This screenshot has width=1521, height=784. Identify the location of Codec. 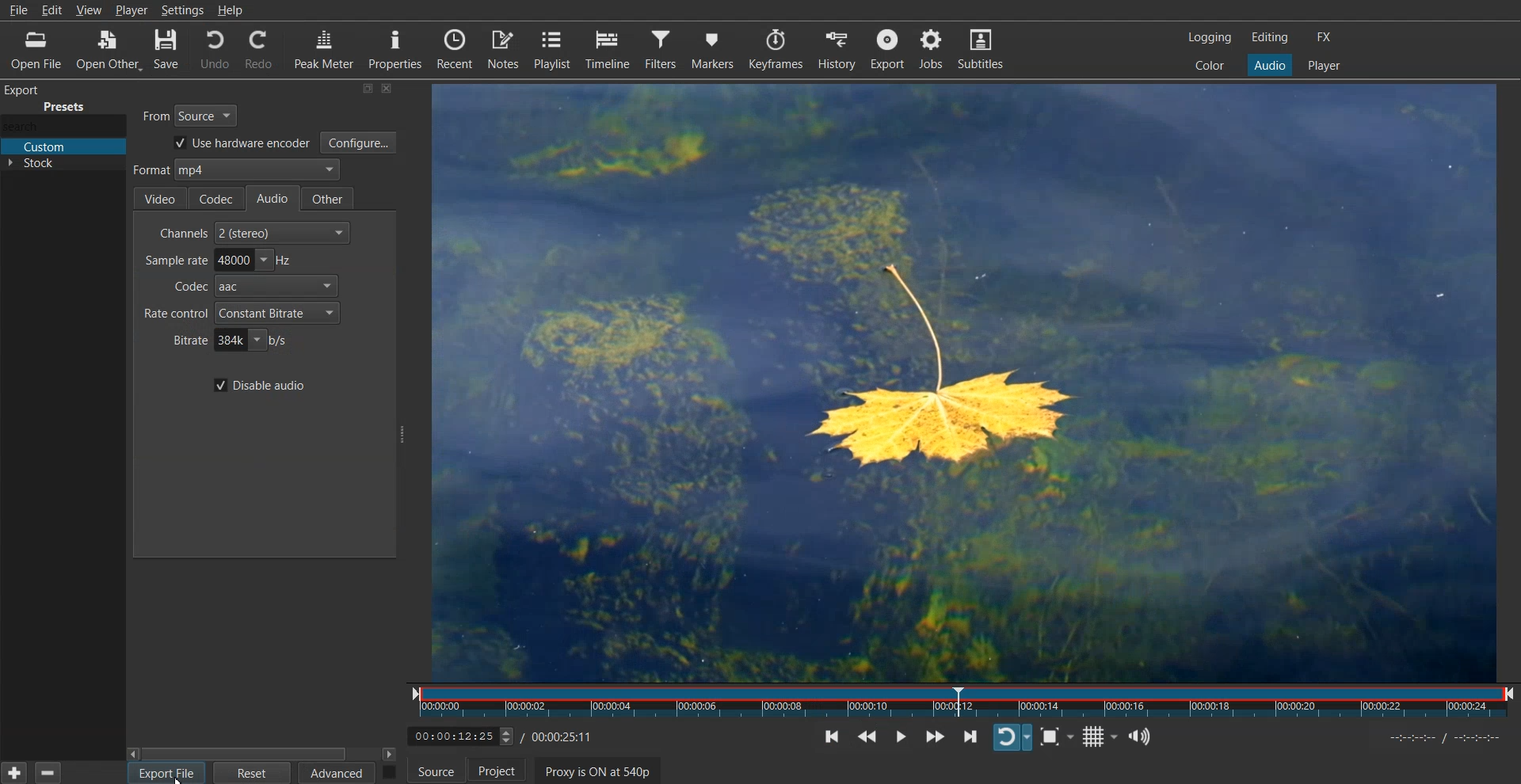
(217, 197).